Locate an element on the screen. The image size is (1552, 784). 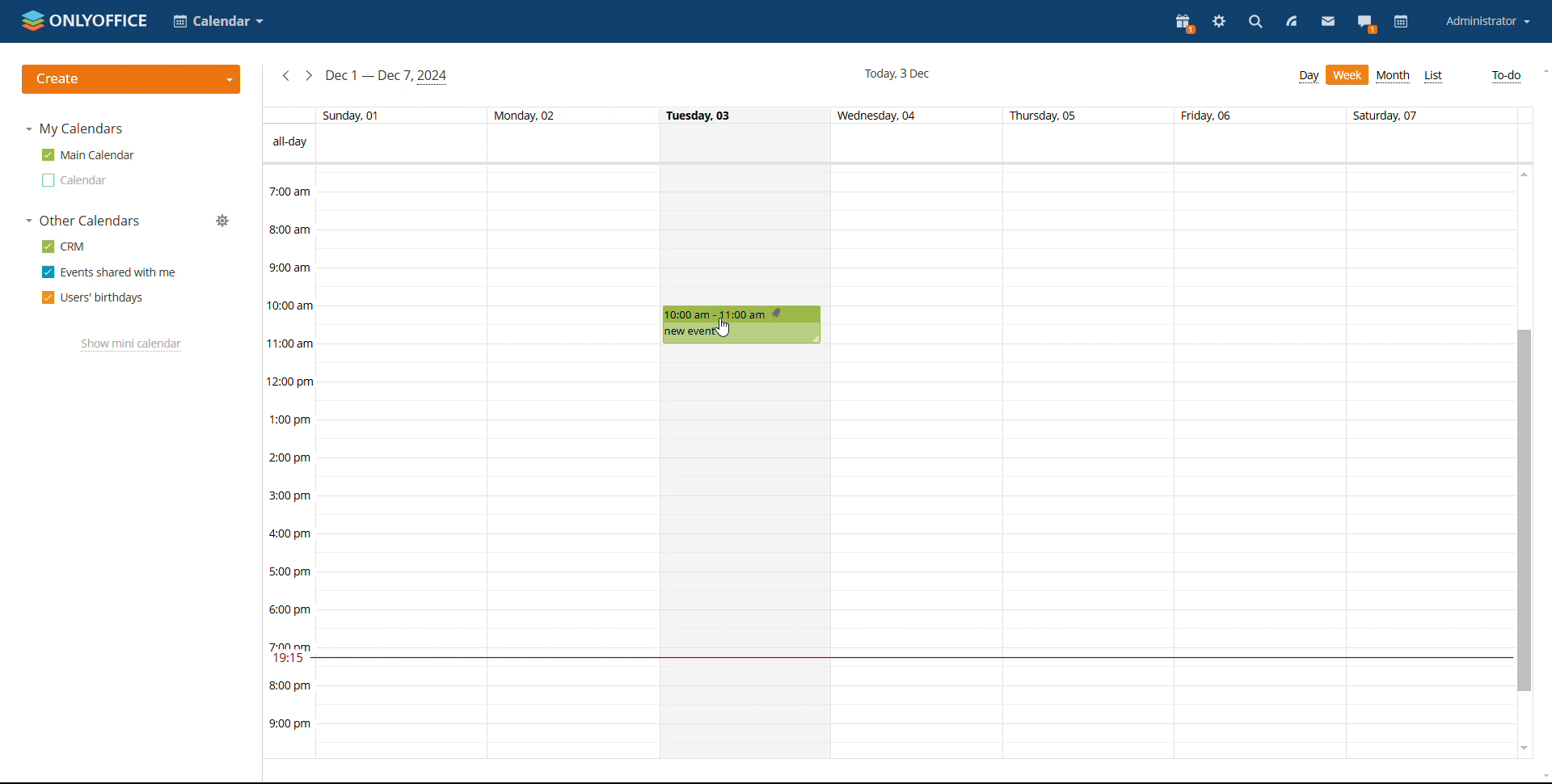
Monday, 02 is located at coordinates (524, 114).